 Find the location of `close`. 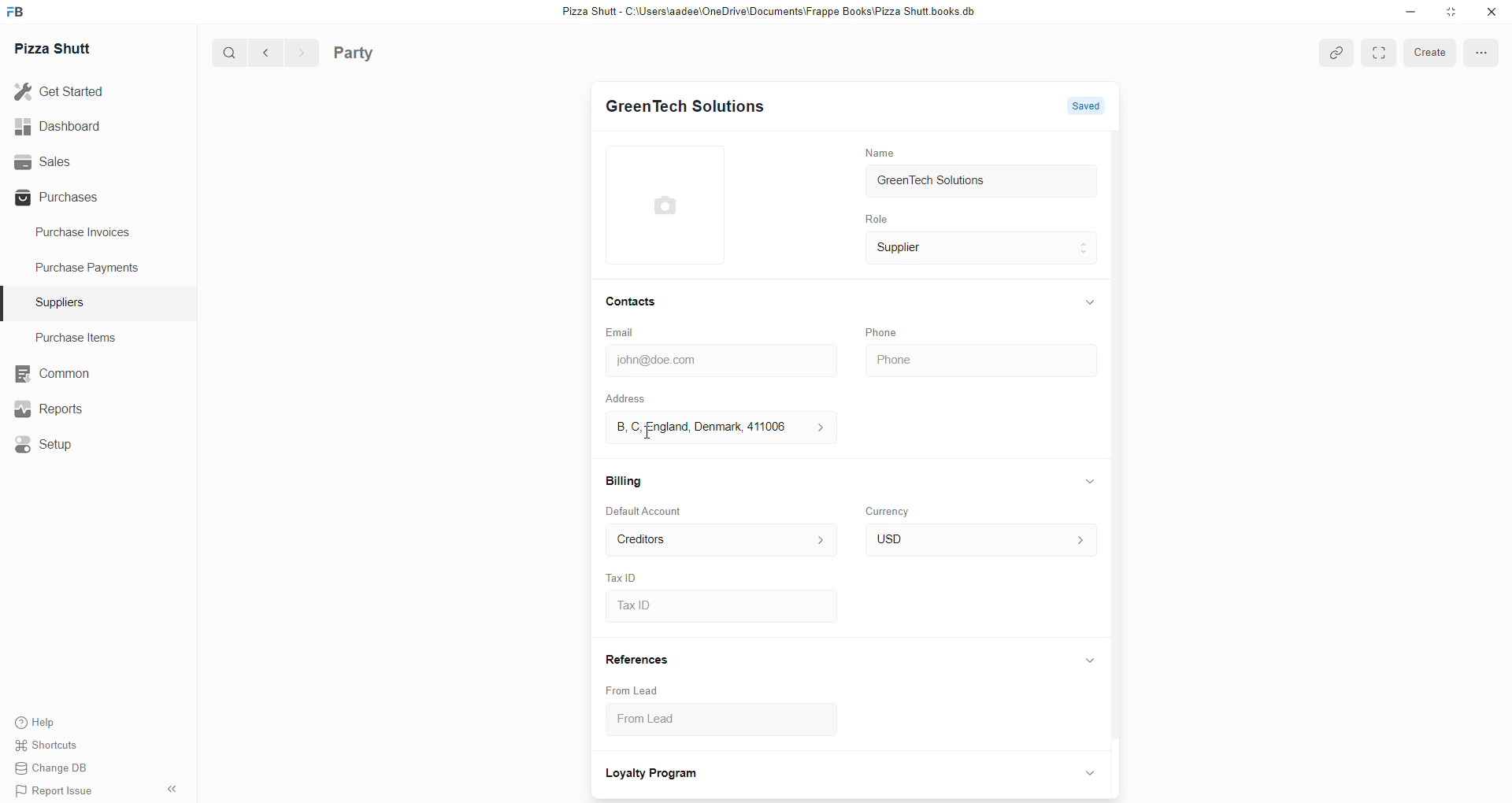

close is located at coordinates (1490, 12).